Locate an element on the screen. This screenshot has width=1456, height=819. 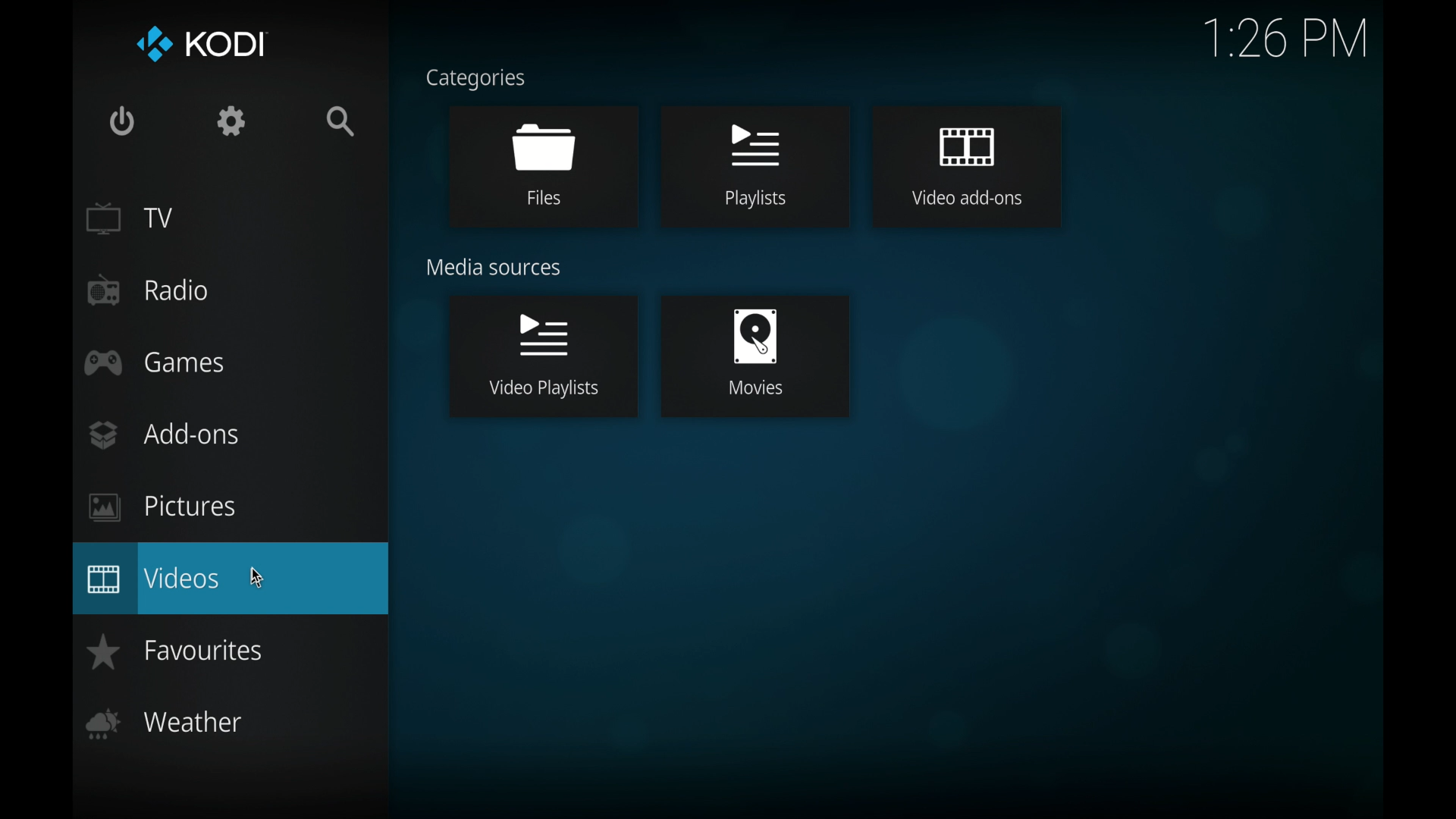
cursor is located at coordinates (258, 577).